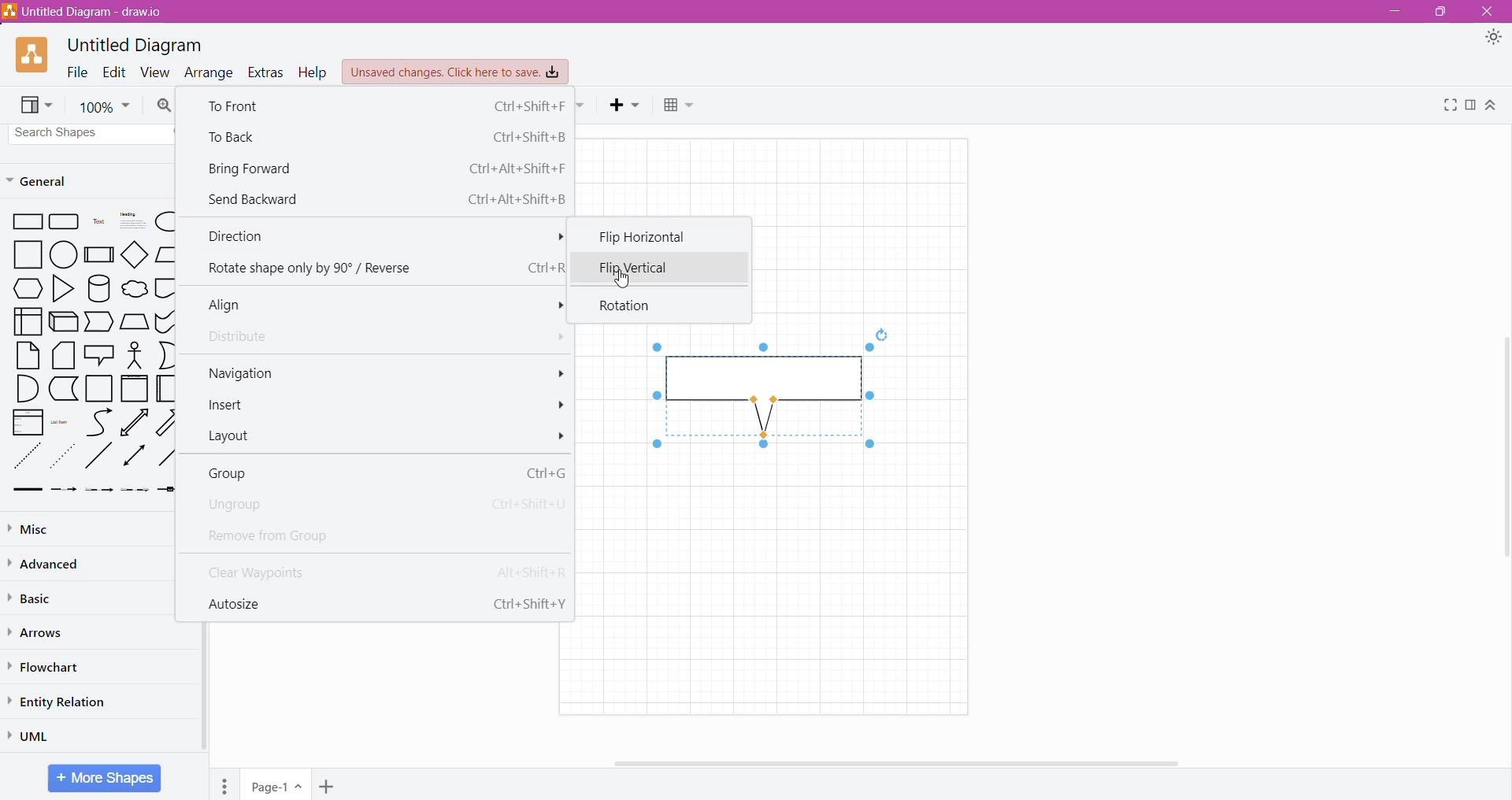  Describe the element at coordinates (277, 784) in the screenshot. I see `Page Name` at that location.